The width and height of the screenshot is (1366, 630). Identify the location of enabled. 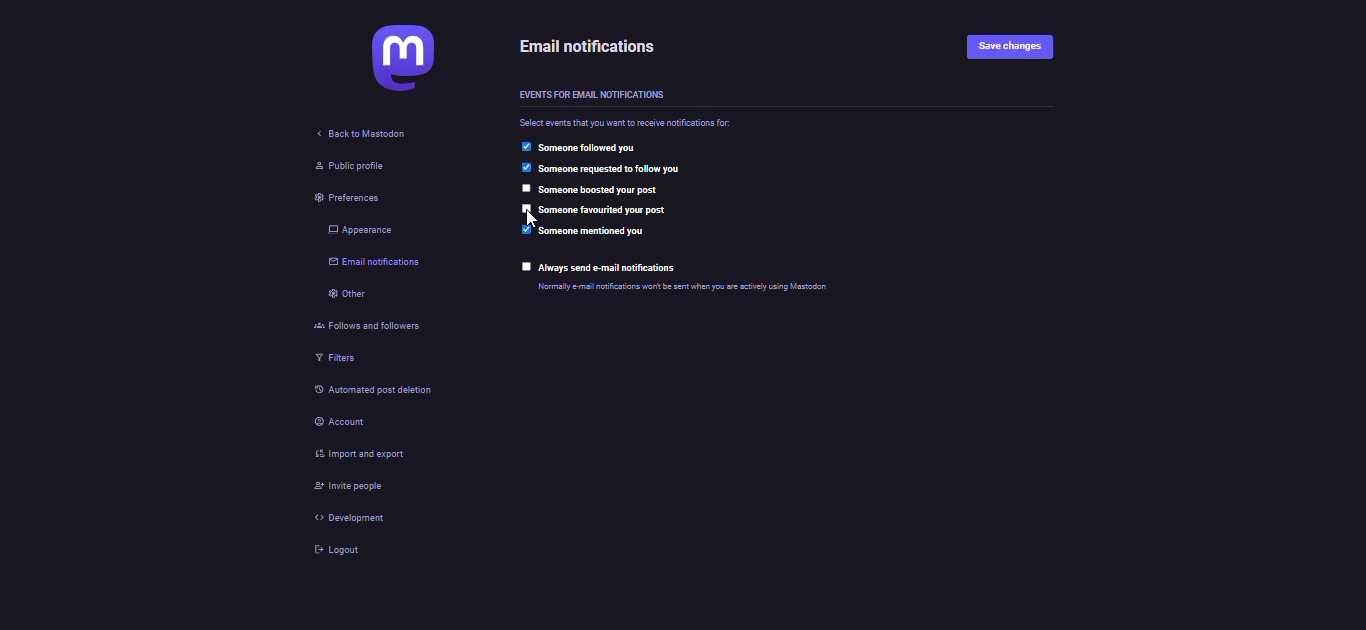
(524, 167).